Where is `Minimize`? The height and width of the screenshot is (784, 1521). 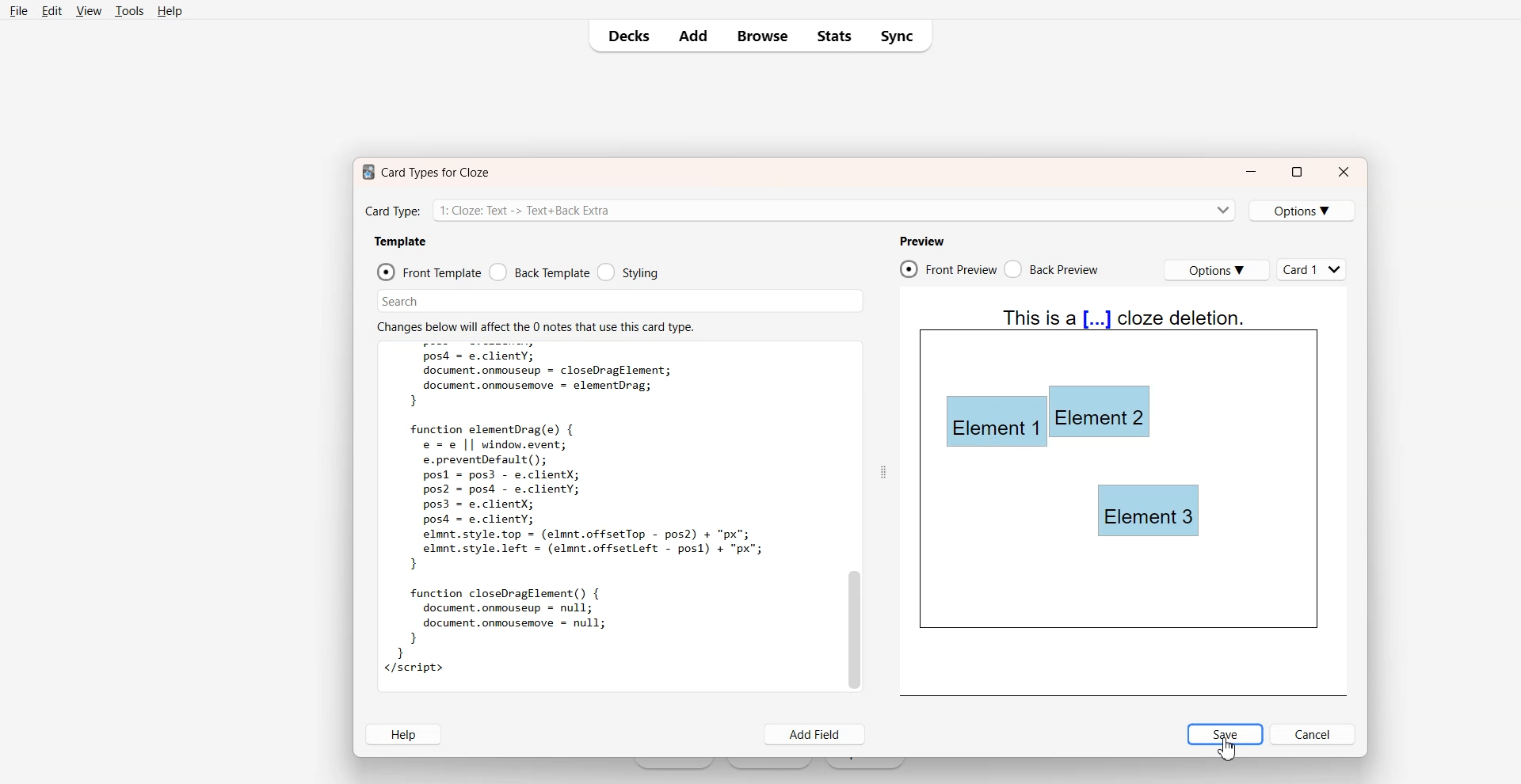 Minimize is located at coordinates (1251, 173).